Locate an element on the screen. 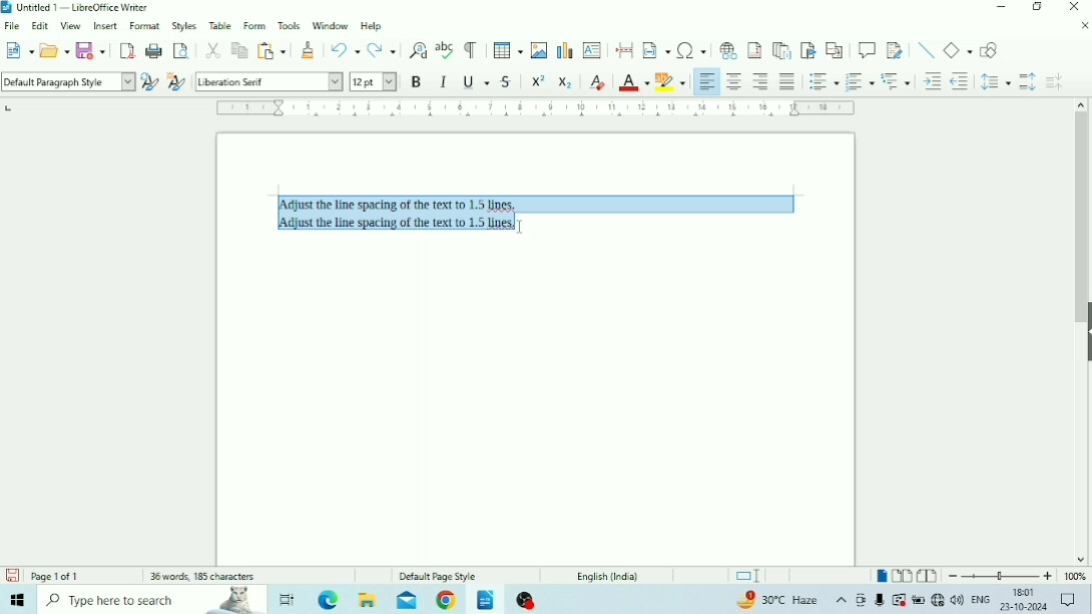 The image size is (1092, 614). Speakers is located at coordinates (957, 600).